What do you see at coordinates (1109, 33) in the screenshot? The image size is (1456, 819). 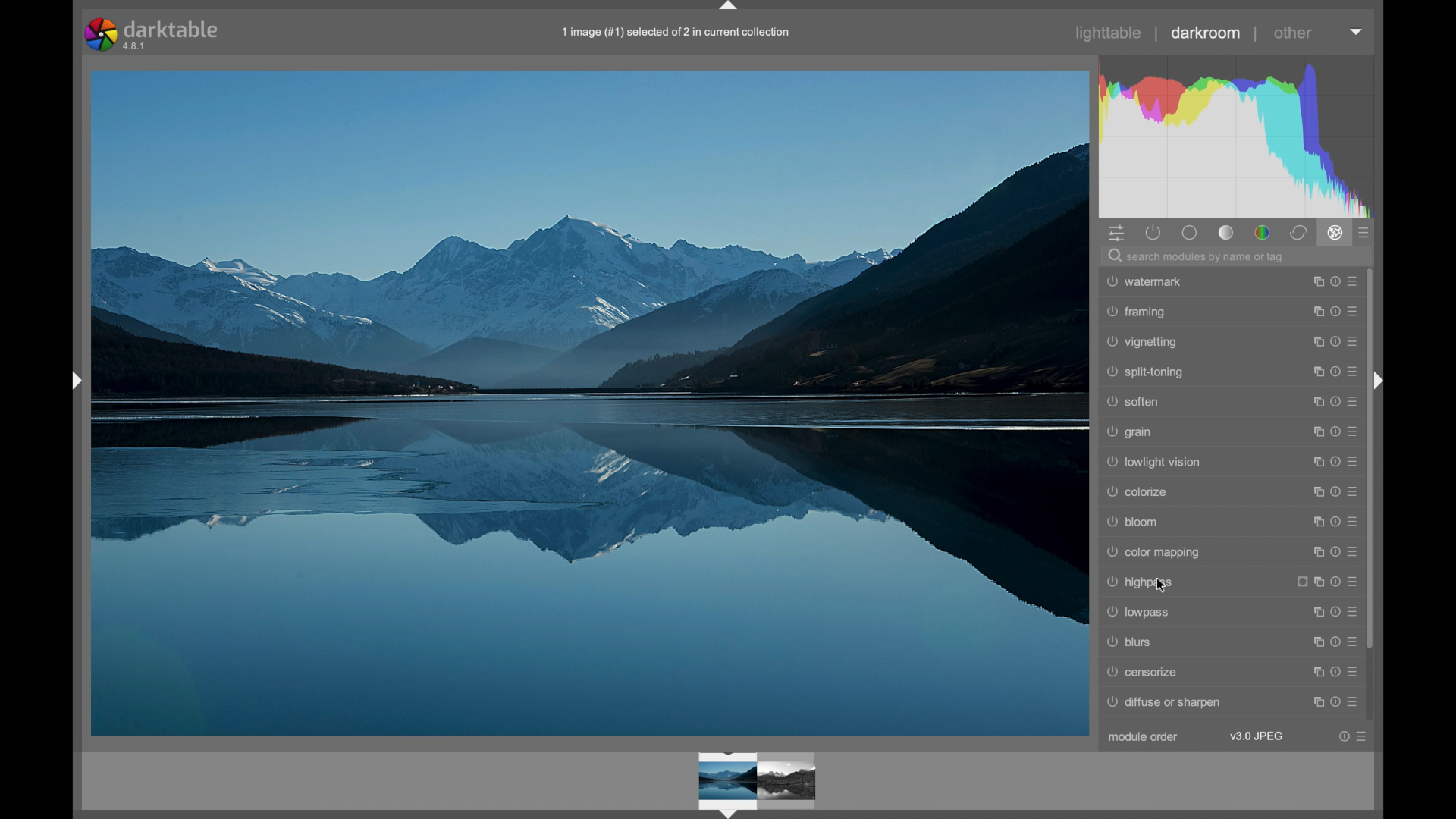 I see `lighttable` at bounding box center [1109, 33].